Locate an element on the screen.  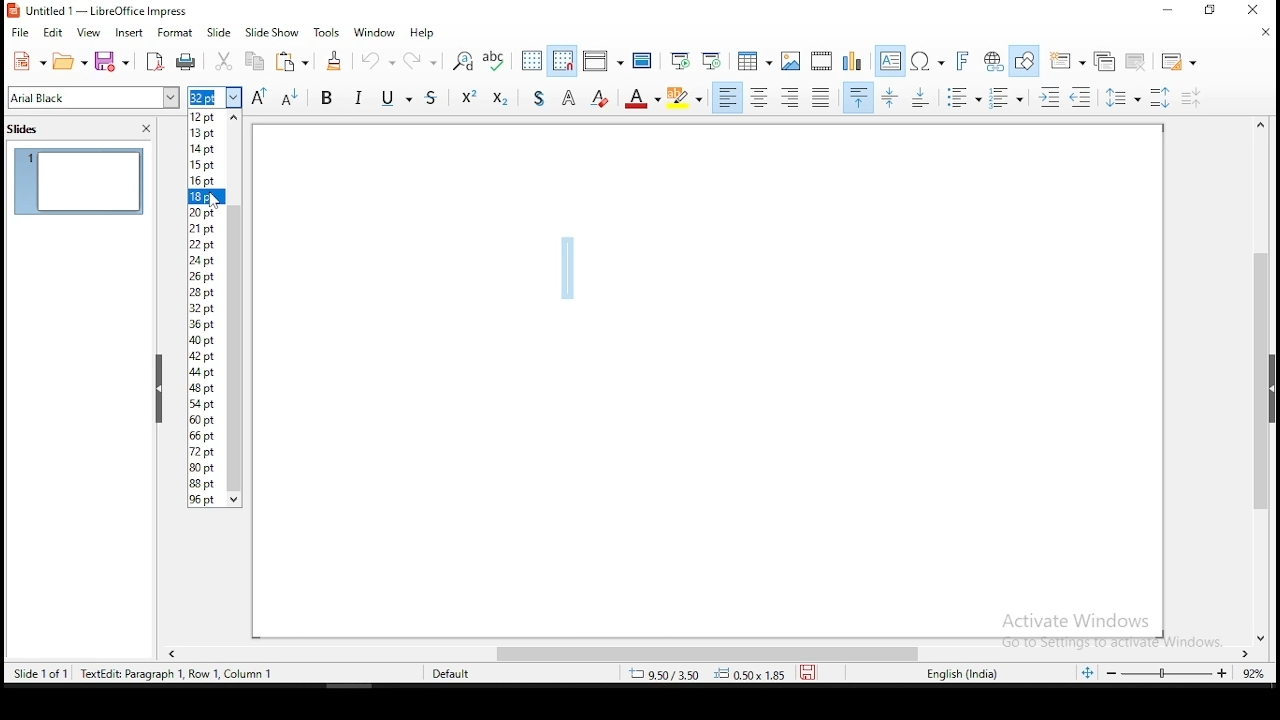
12 is located at coordinates (207, 116).